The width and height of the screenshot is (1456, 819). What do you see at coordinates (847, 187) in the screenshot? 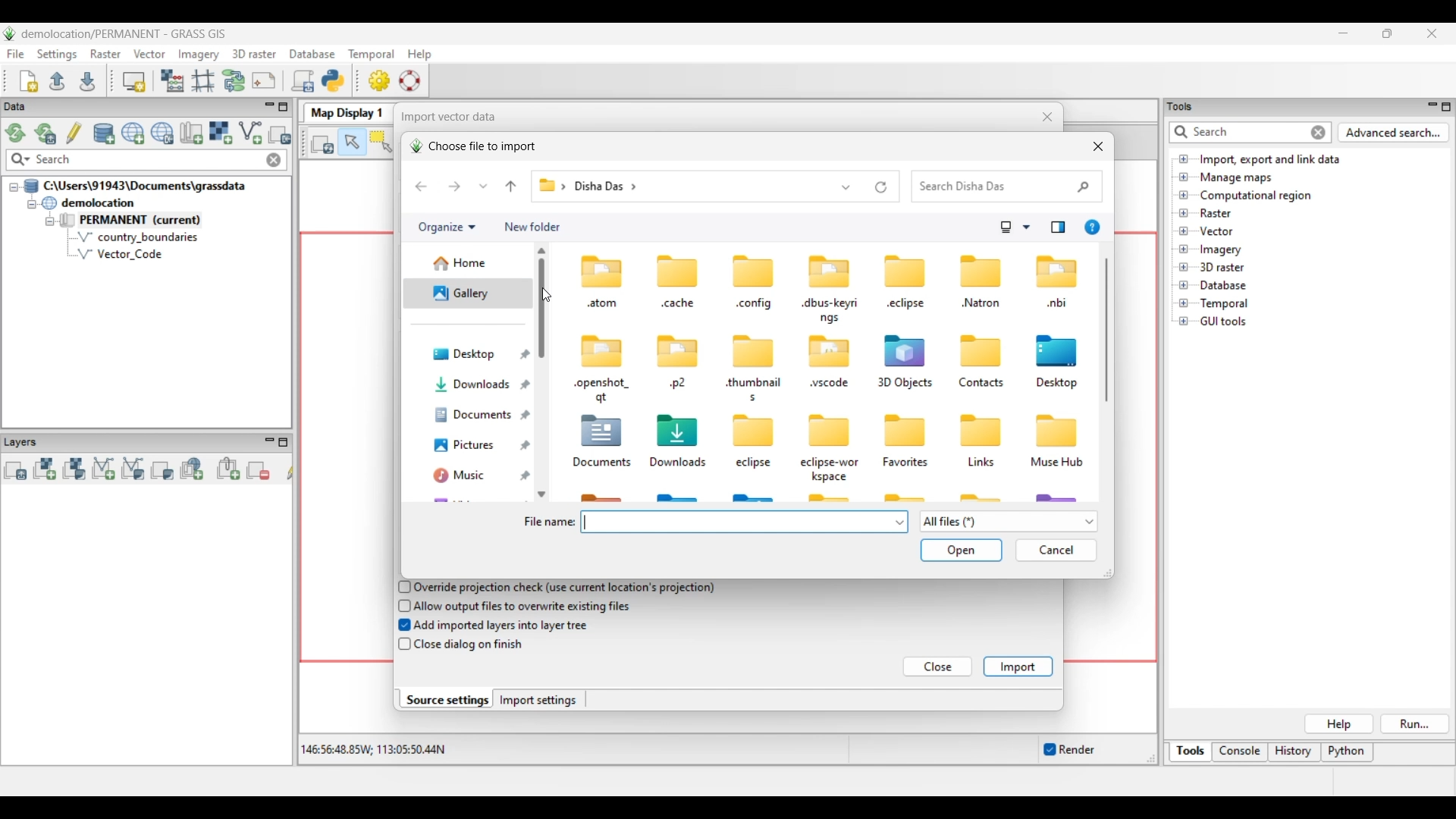
I see `Show list of previous locations` at bounding box center [847, 187].